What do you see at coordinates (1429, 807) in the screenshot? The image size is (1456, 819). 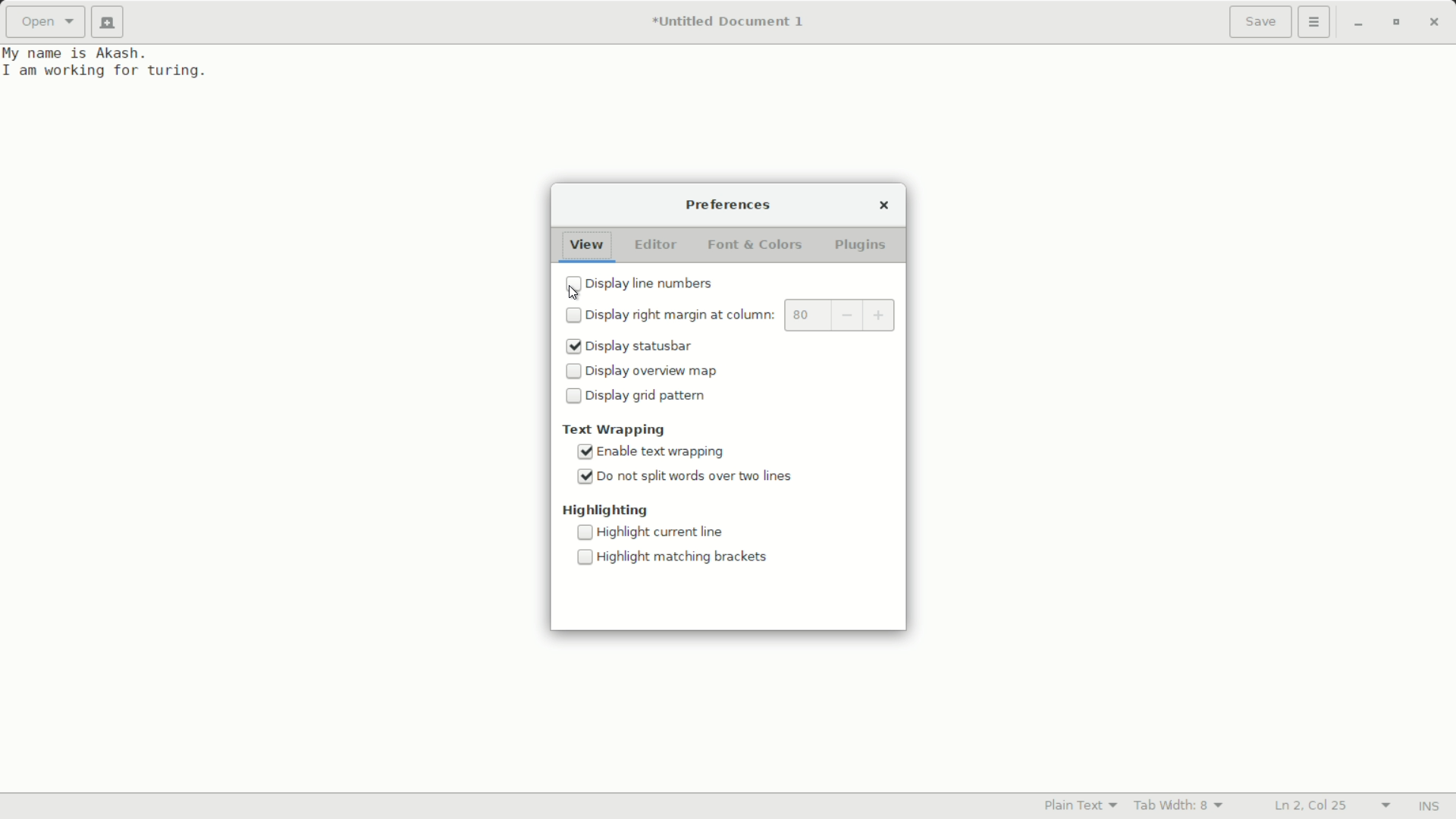 I see `ins` at bounding box center [1429, 807].